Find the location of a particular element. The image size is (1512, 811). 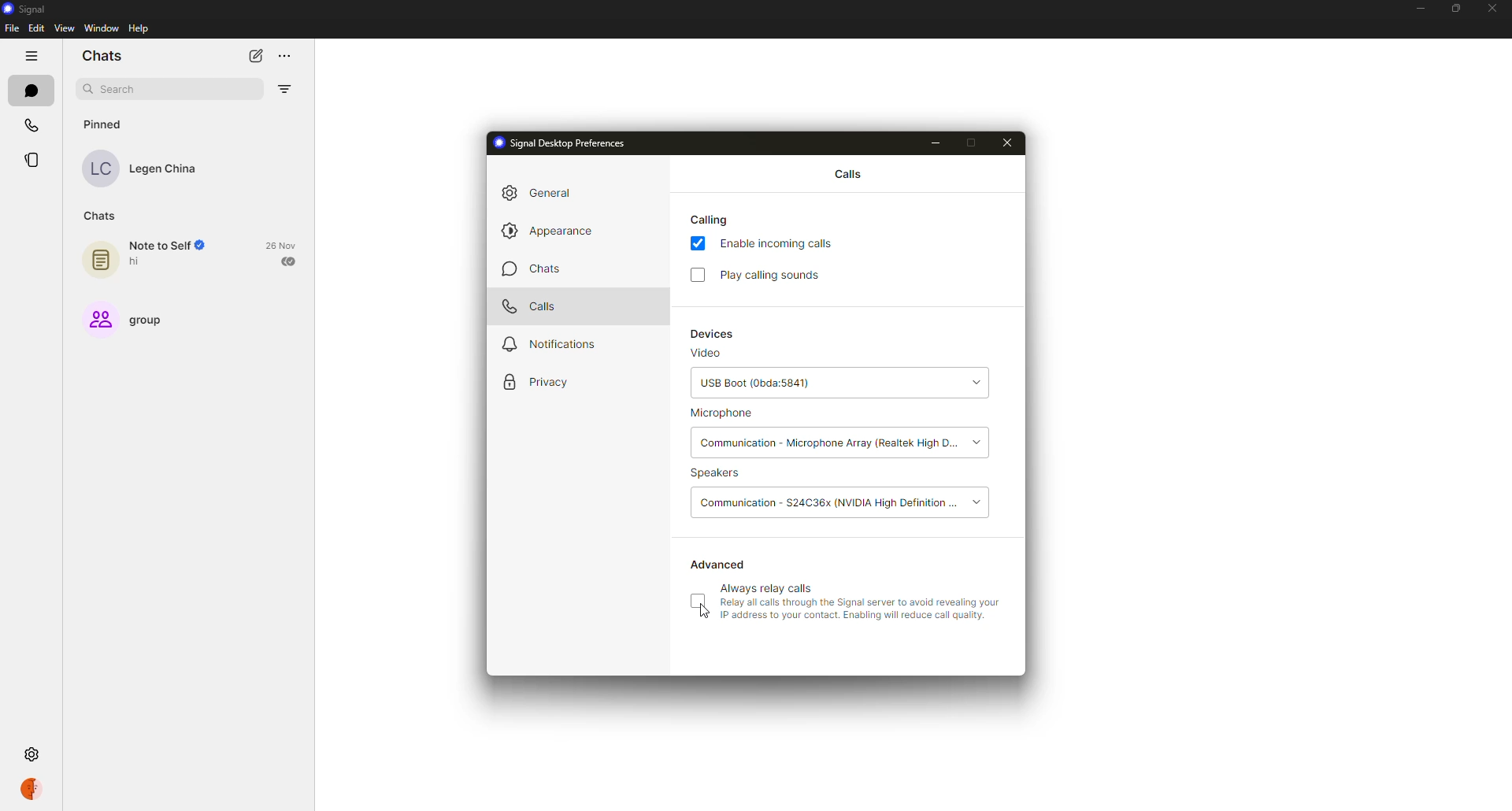

drop down is located at coordinates (976, 502).